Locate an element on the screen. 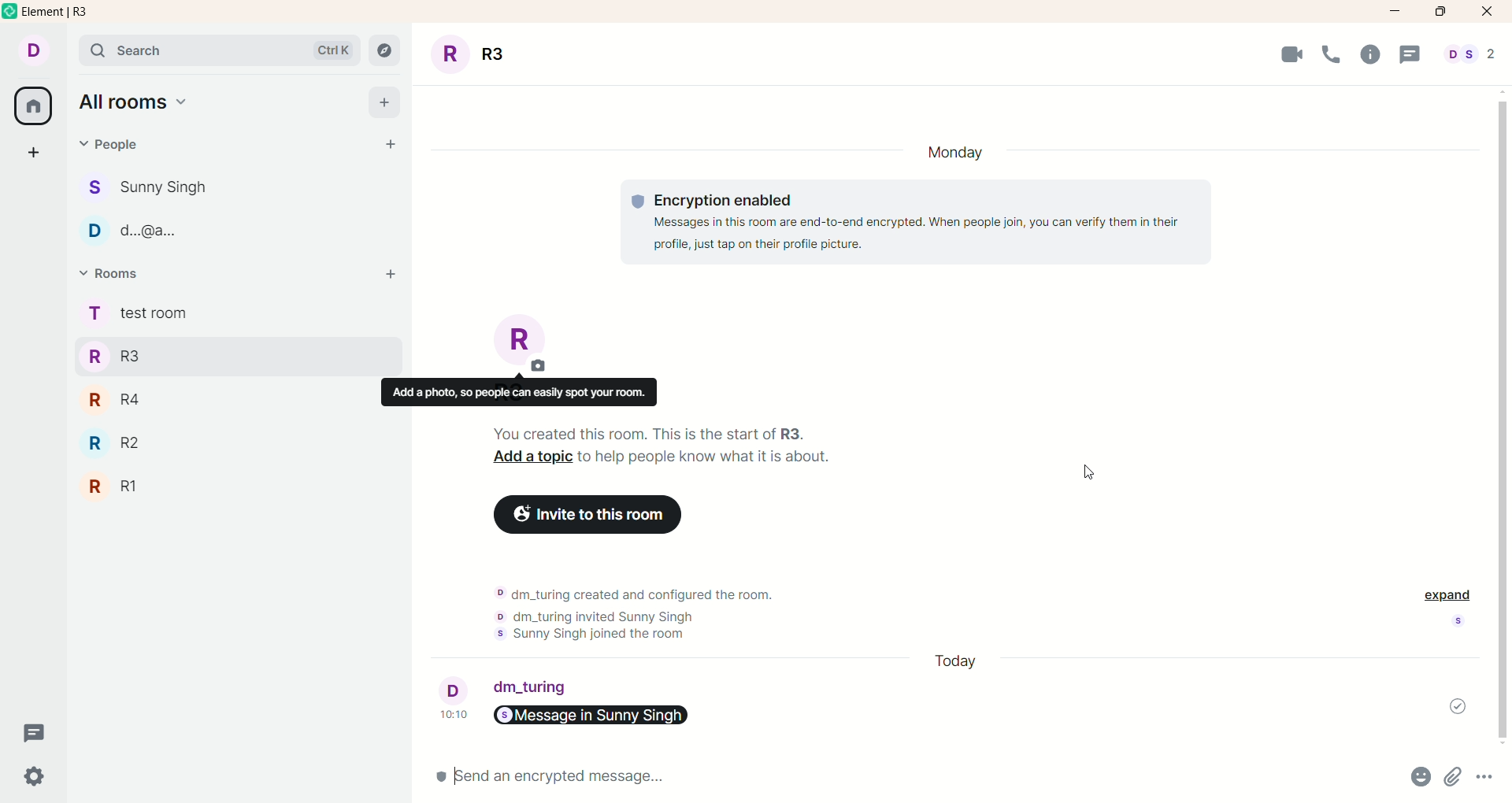 The height and width of the screenshot is (803, 1512). maximize is located at coordinates (1438, 12).